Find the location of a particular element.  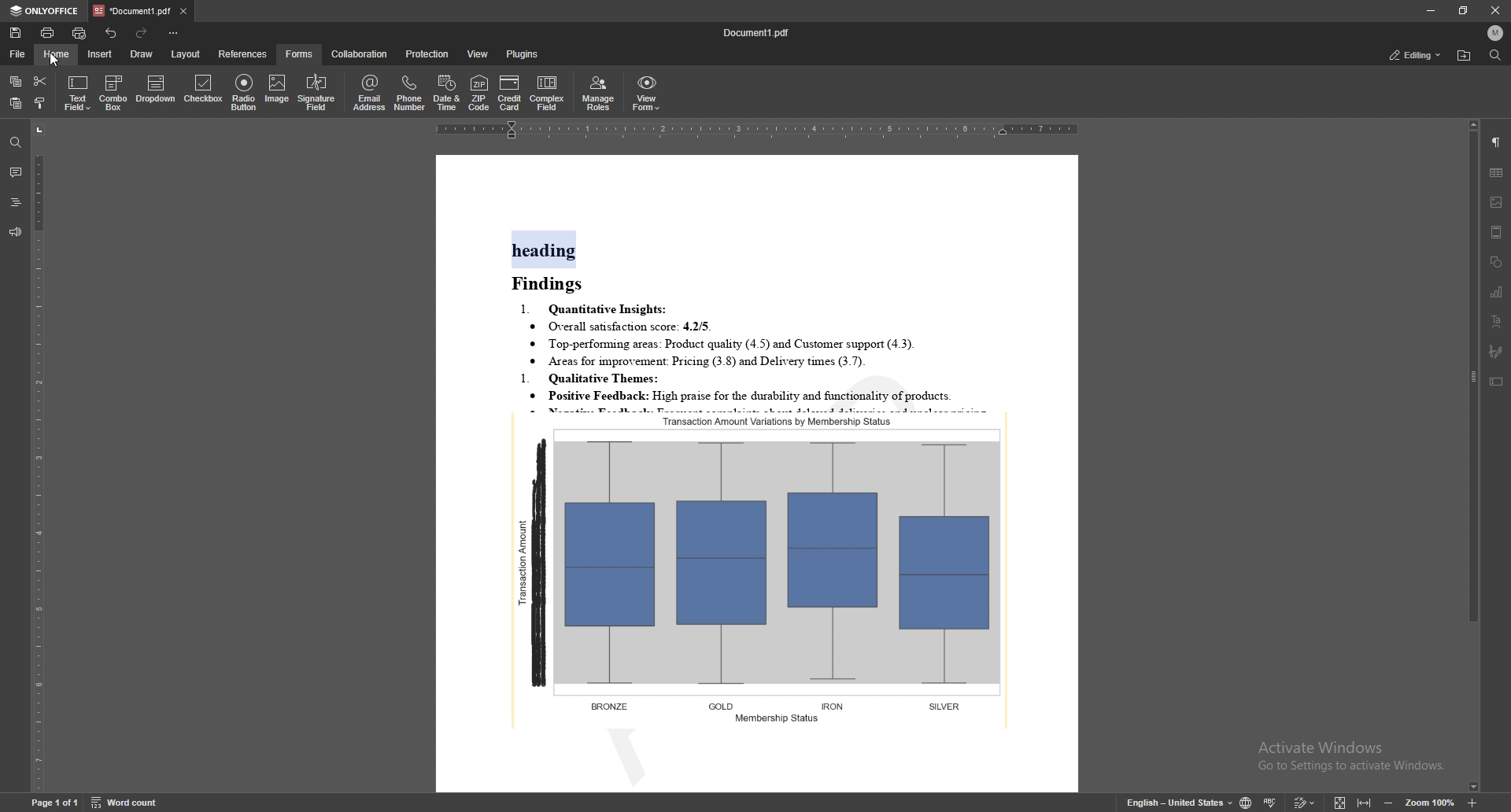

1. Qualitative Themes: is located at coordinates (598, 378).